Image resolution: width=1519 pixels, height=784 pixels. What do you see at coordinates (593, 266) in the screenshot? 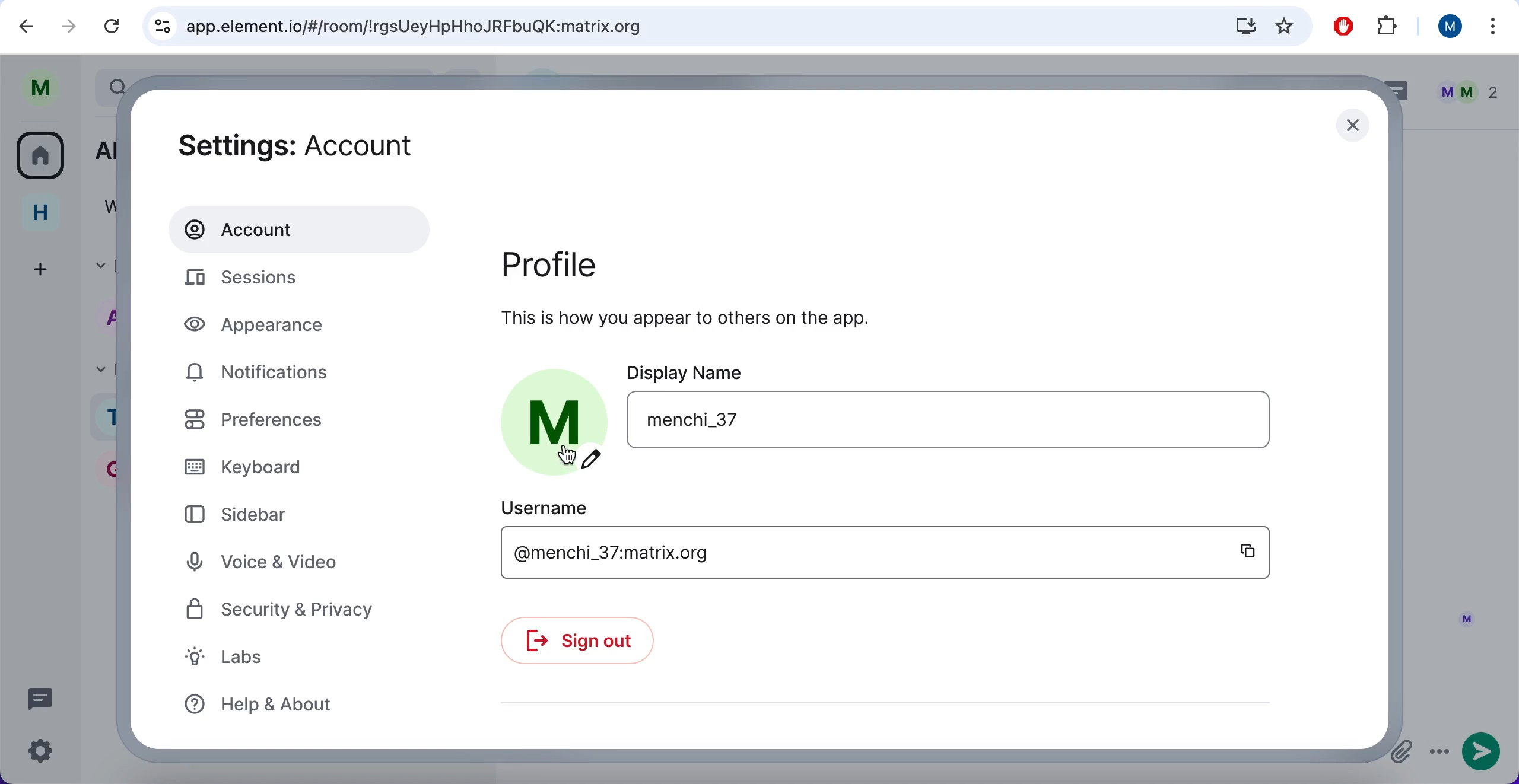
I see `profile` at bounding box center [593, 266].